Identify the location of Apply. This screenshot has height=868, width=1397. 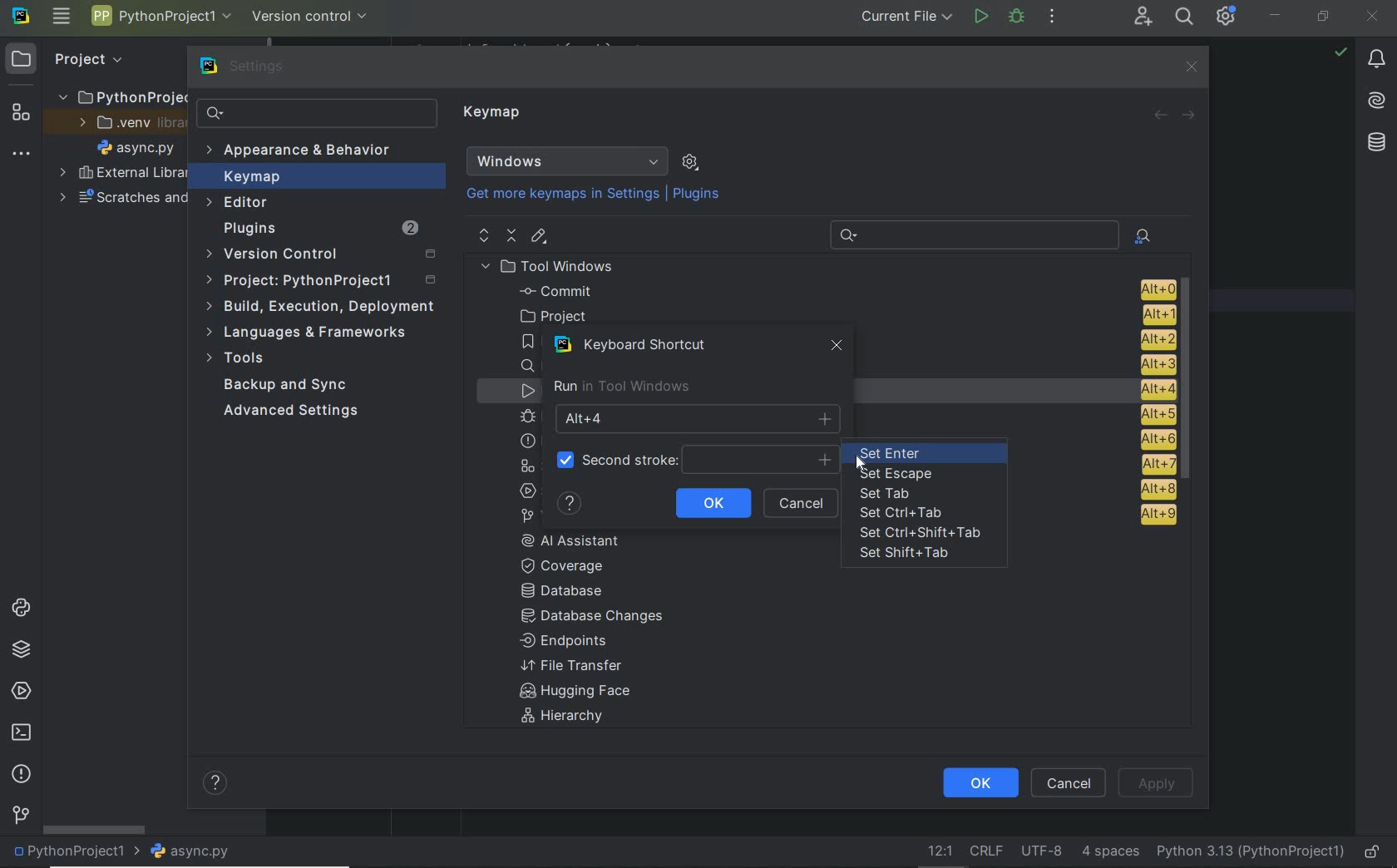
(1156, 782).